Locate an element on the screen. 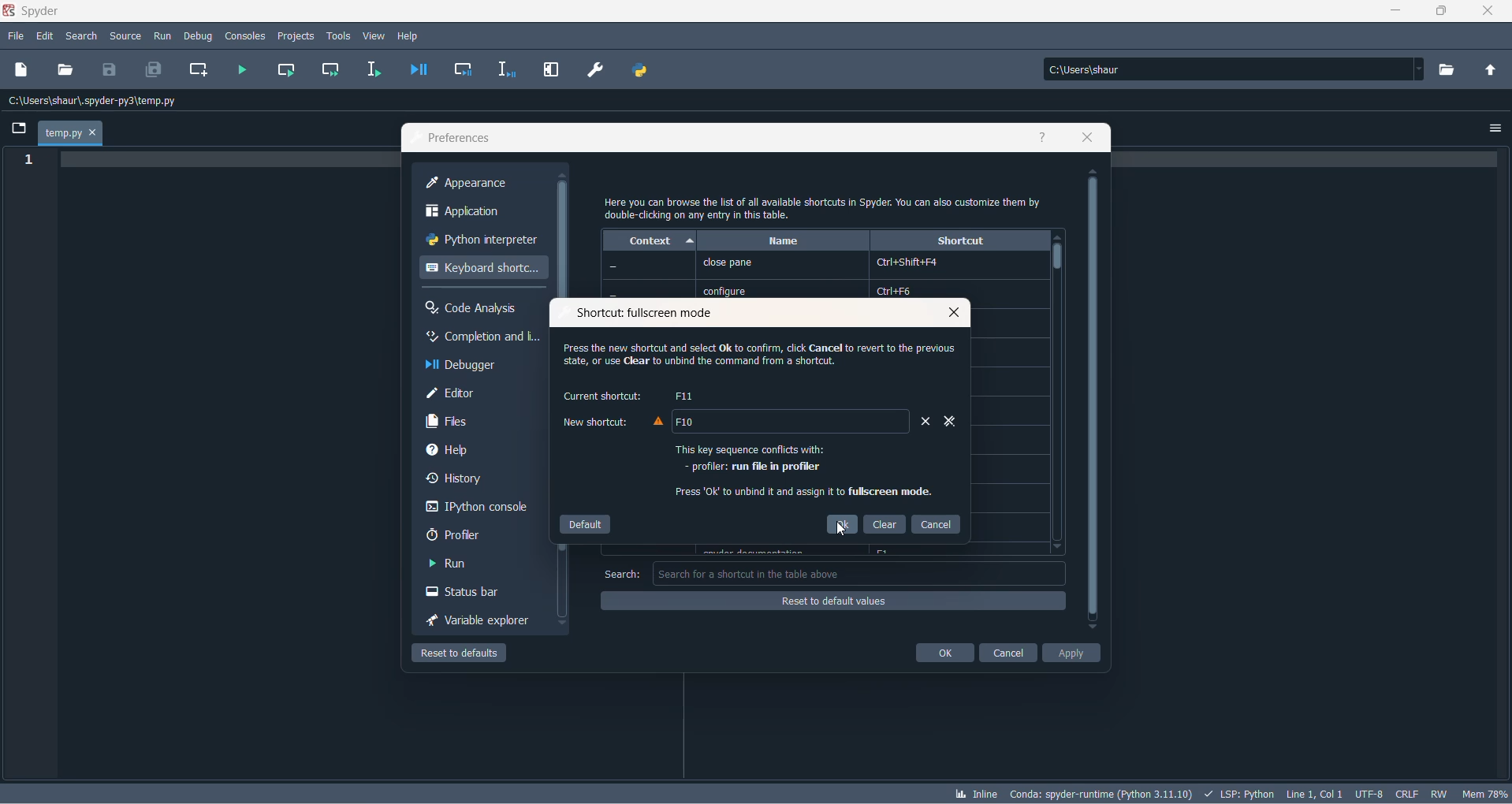 This screenshot has width=1512, height=804. PYTHON PATH MANAGER is located at coordinates (639, 68).